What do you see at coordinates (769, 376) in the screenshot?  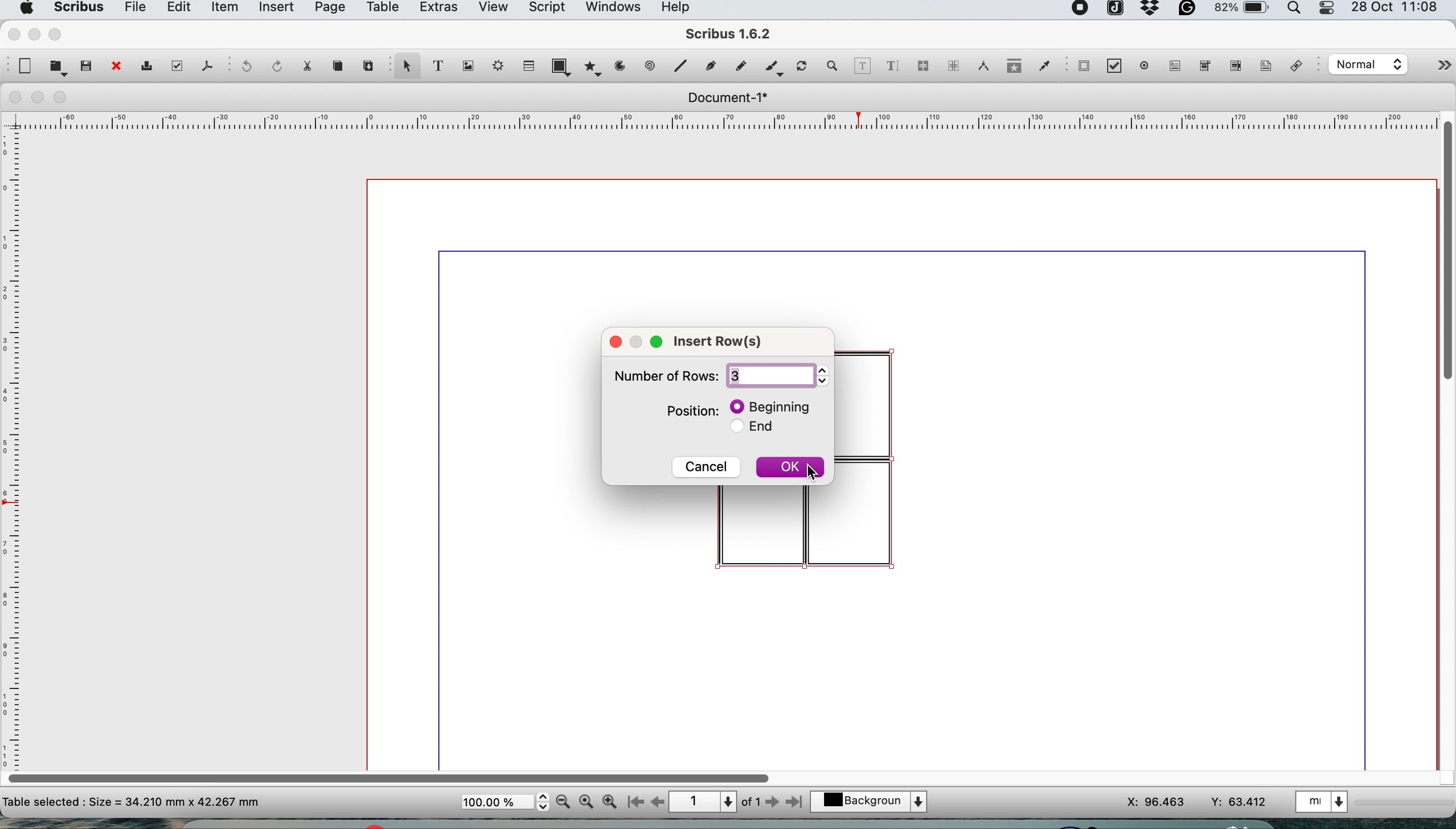 I see `number of rows input box` at bounding box center [769, 376].